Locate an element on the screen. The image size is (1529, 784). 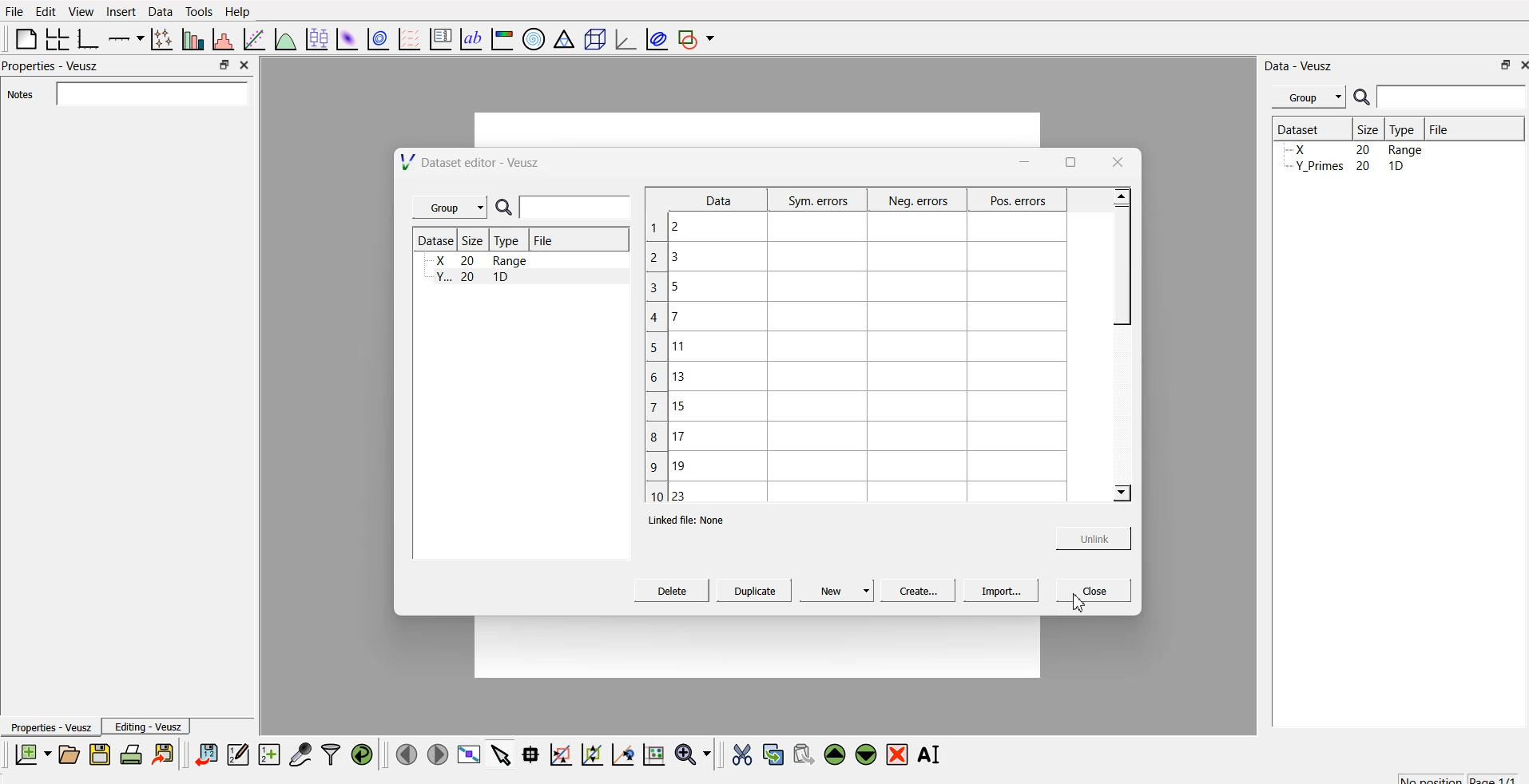
cut the widget is located at coordinates (738, 754).